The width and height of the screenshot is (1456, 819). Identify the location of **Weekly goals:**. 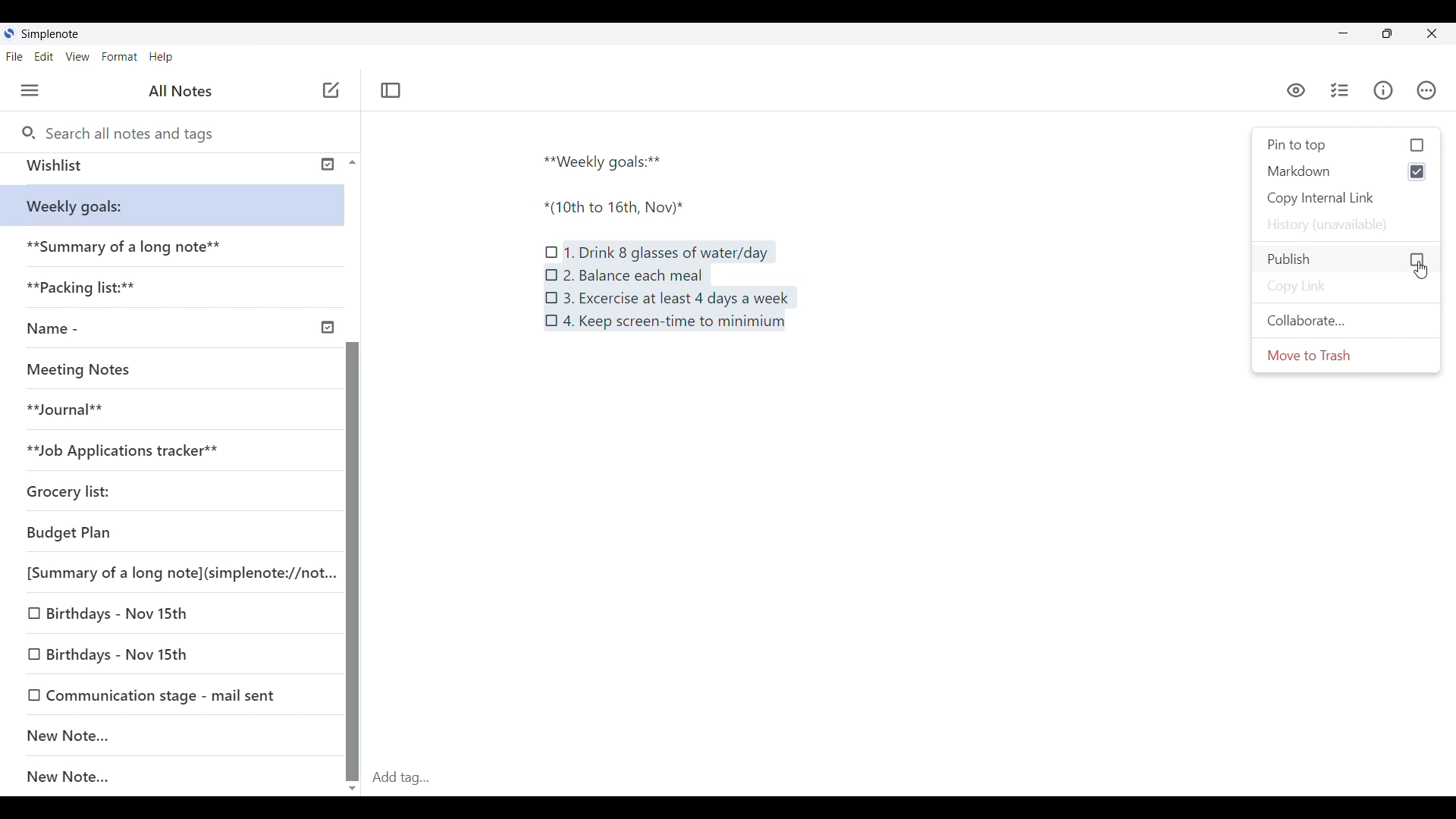
(99, 206).